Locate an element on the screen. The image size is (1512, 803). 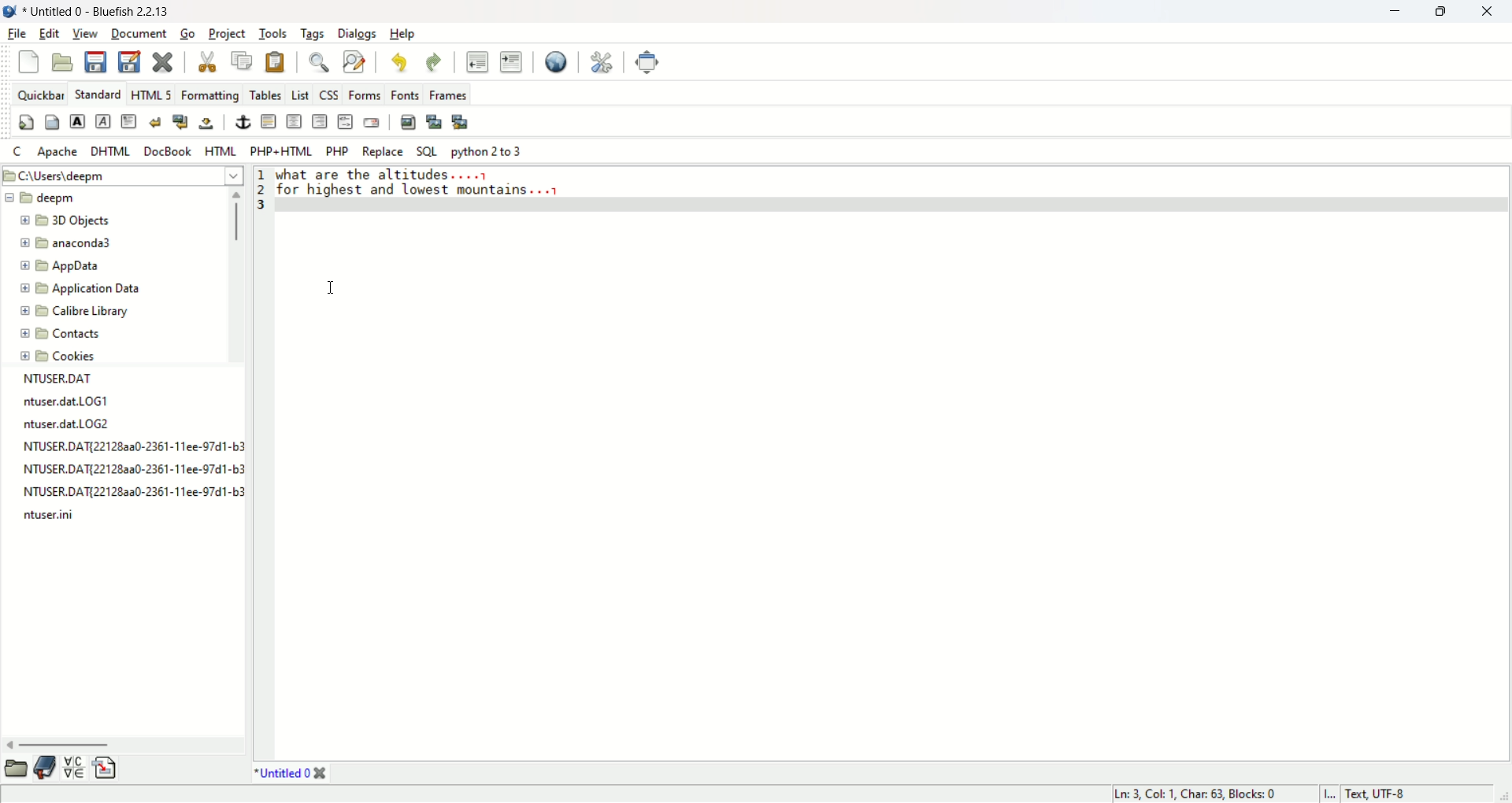
Cursor is located at coordinates (332, 289).